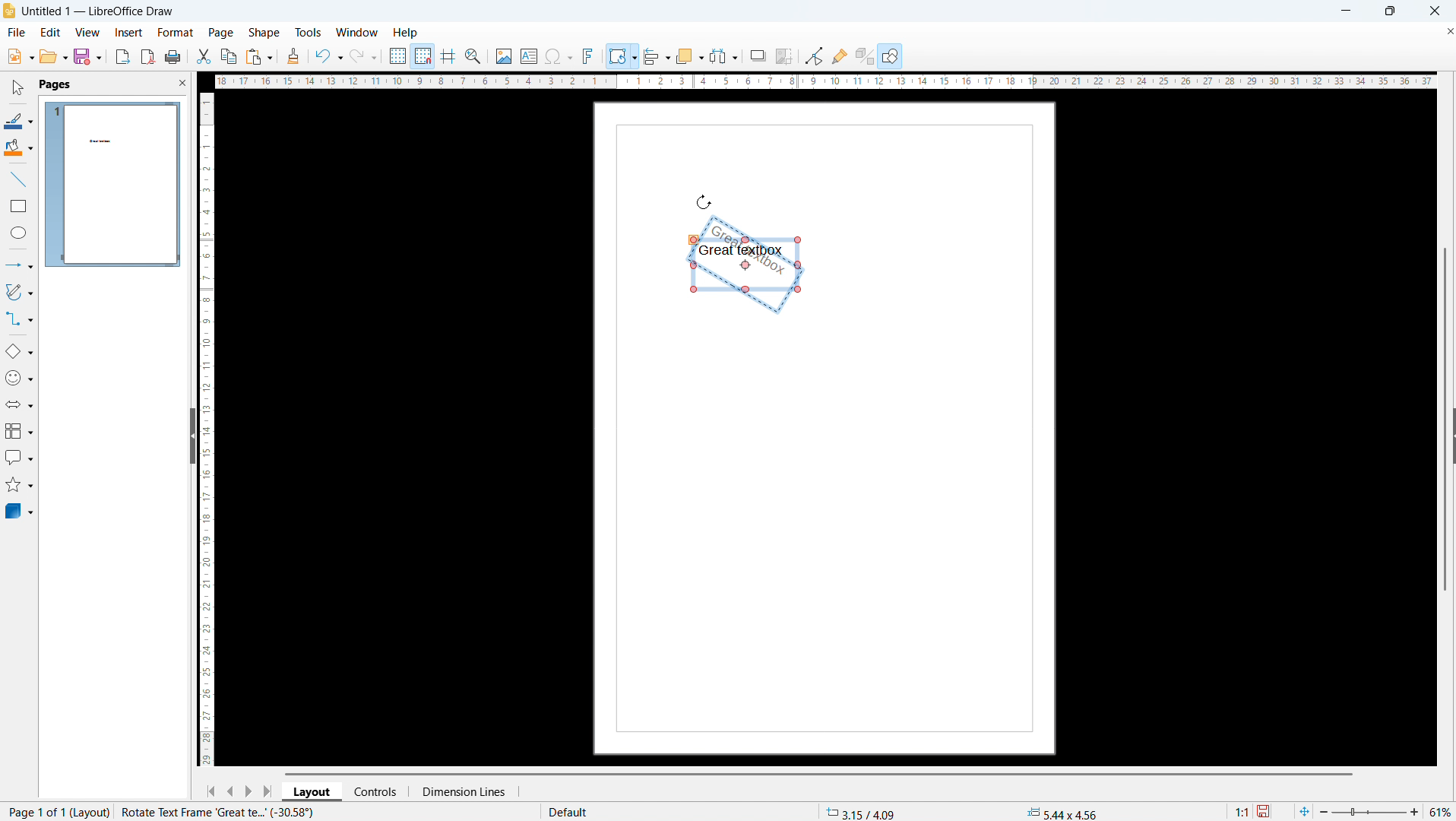 Image resolution: width=1456 pixels, height=821 pixels. Describe the element at coordinates (20, 512) in the screenshot. I see `3D objects` at that location.